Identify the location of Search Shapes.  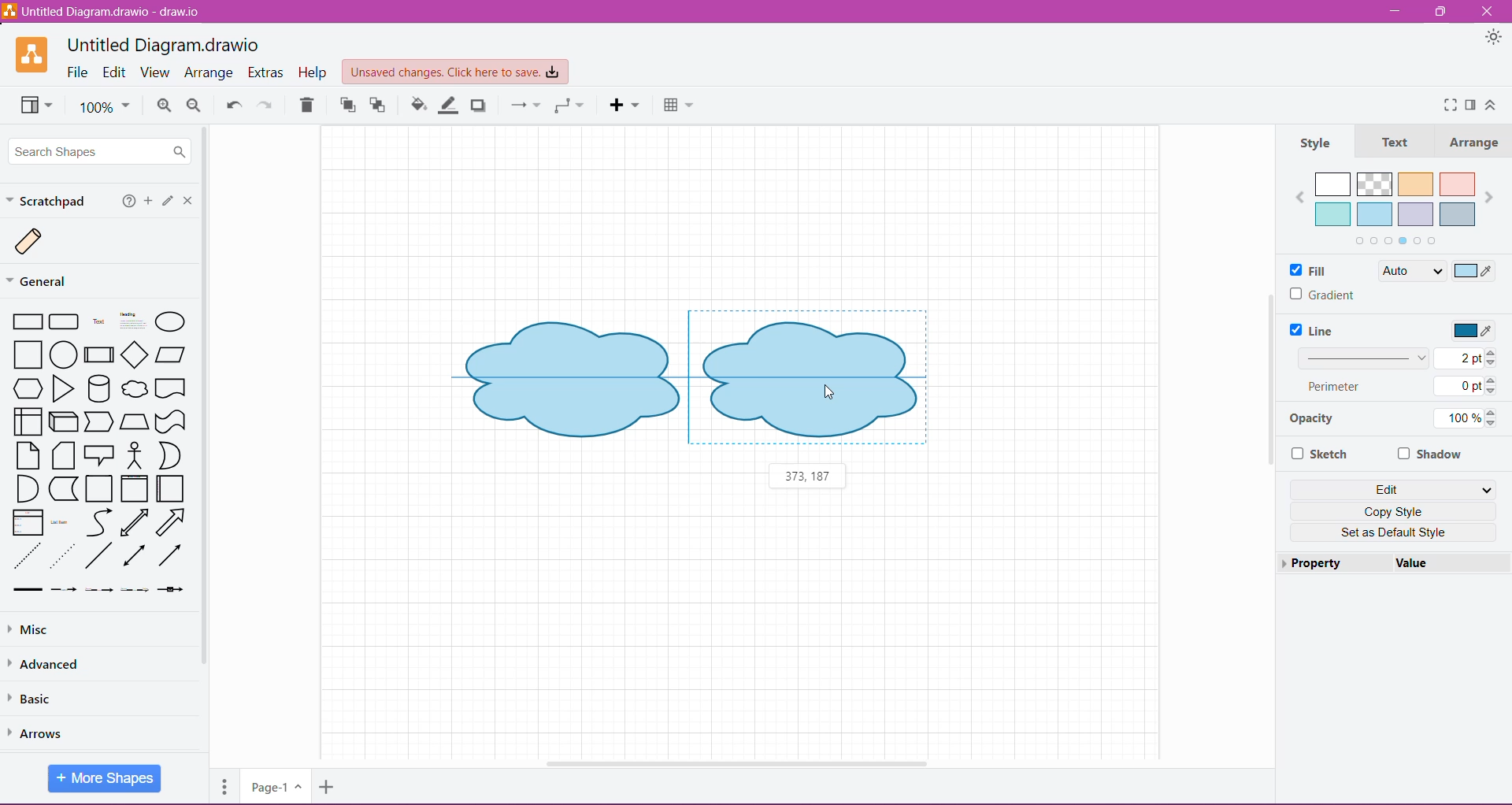
(98, 150).